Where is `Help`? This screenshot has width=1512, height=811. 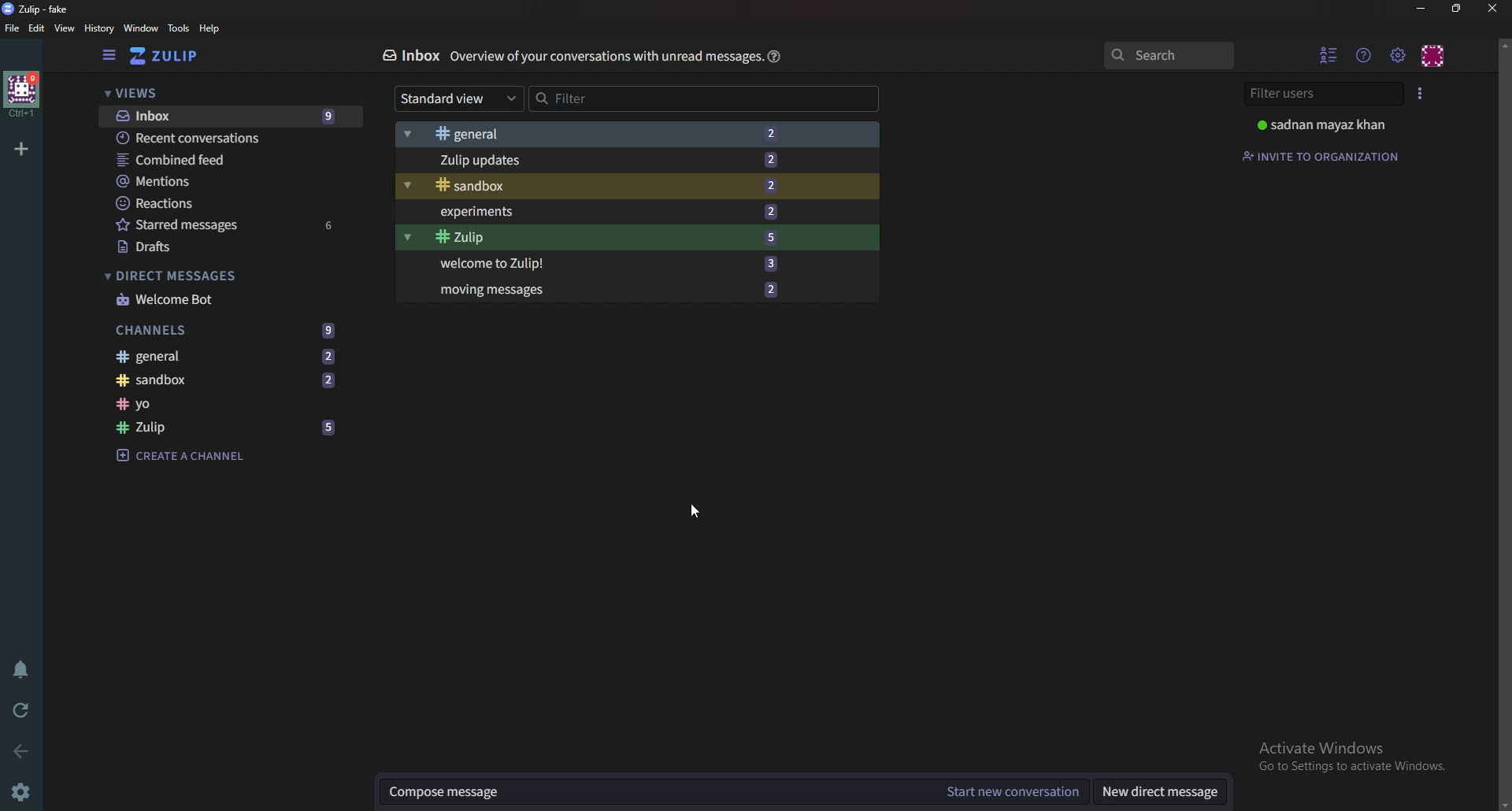
Help is located at coordinates (213, 28).